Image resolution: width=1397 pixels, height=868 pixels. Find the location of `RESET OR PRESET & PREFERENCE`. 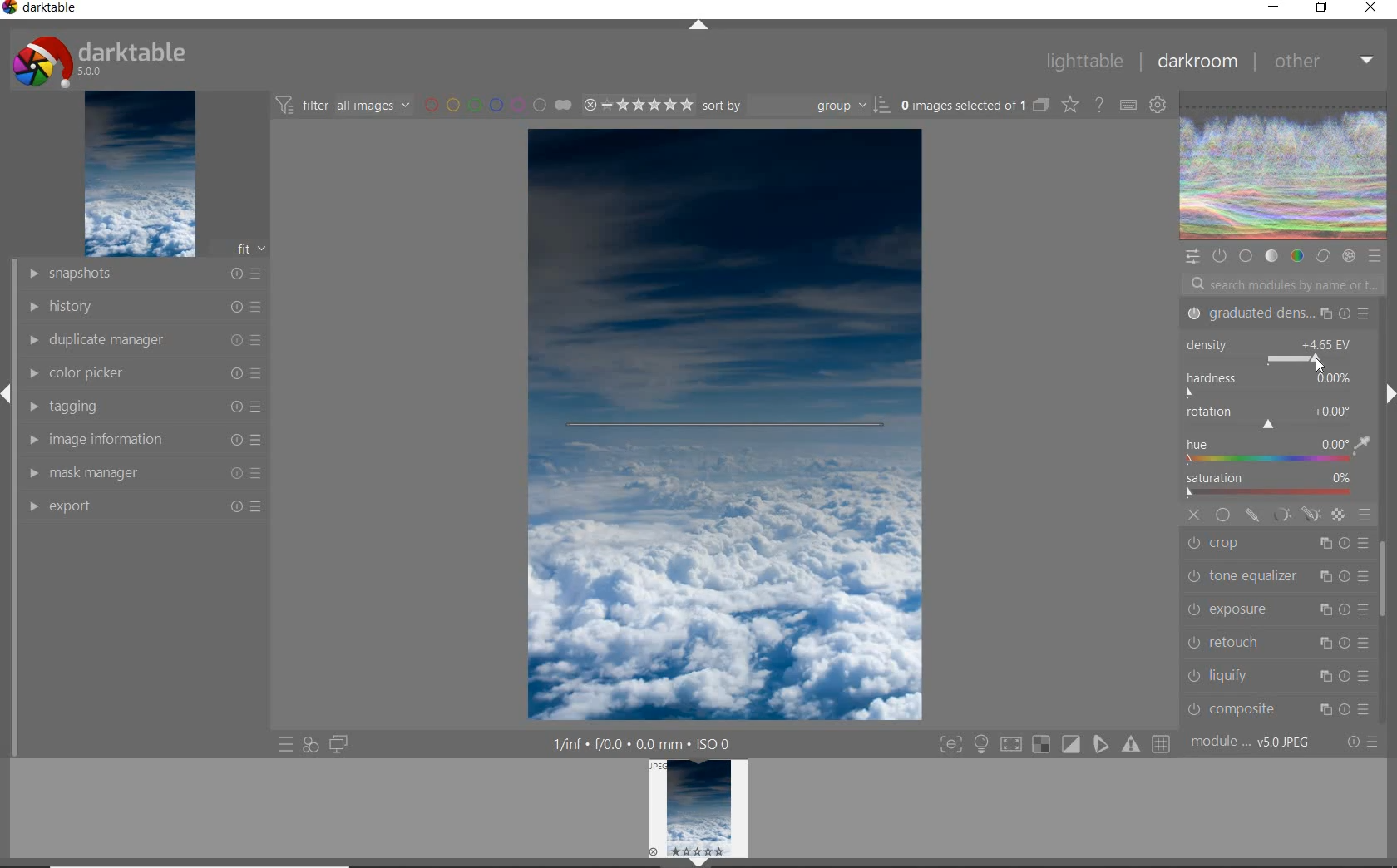

RESET OR PRESET & PREFERENCE is located at coordinates (1361, 741).